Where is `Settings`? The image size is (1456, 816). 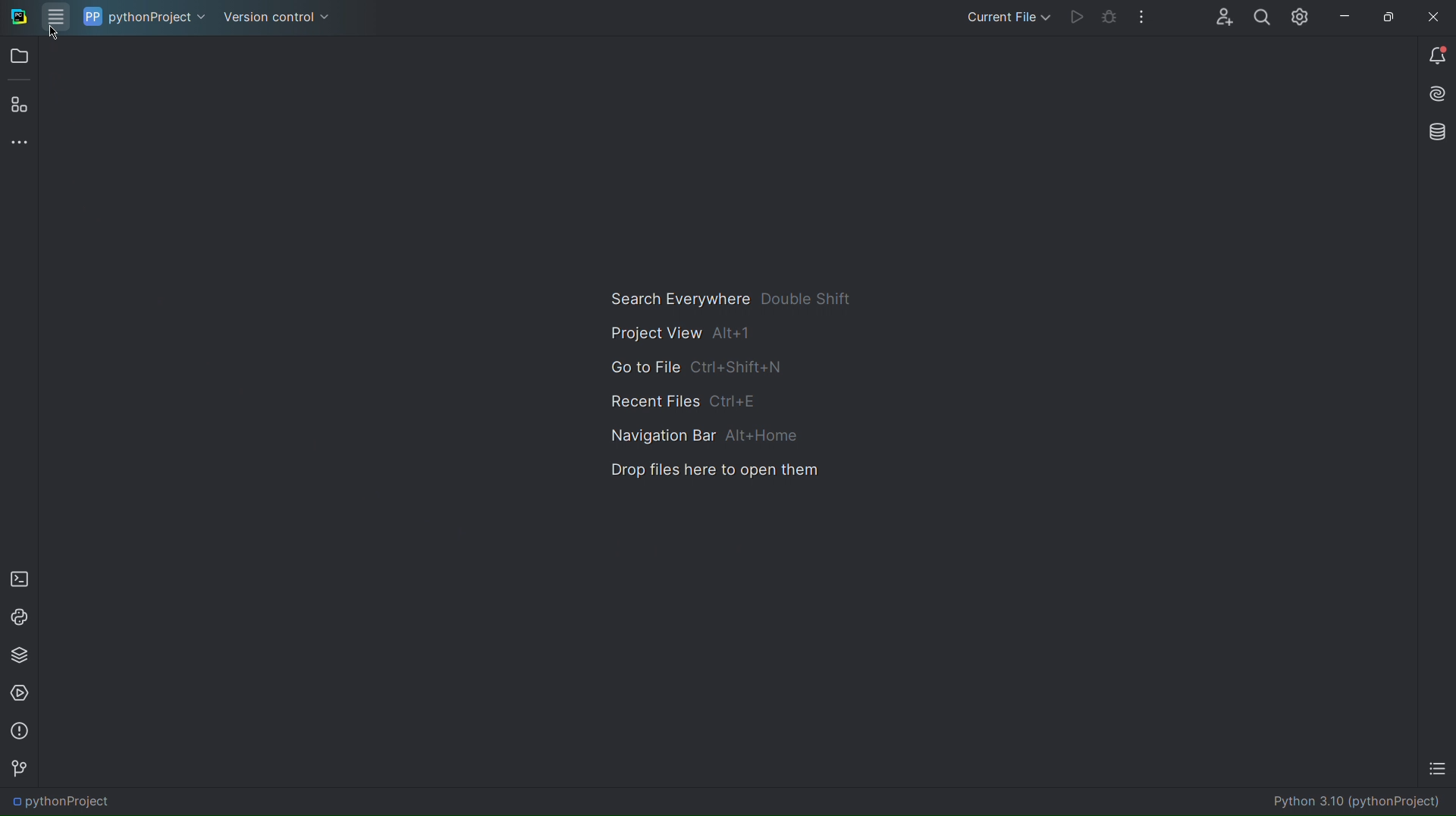
Settings is located at coordinates (1300, 17).